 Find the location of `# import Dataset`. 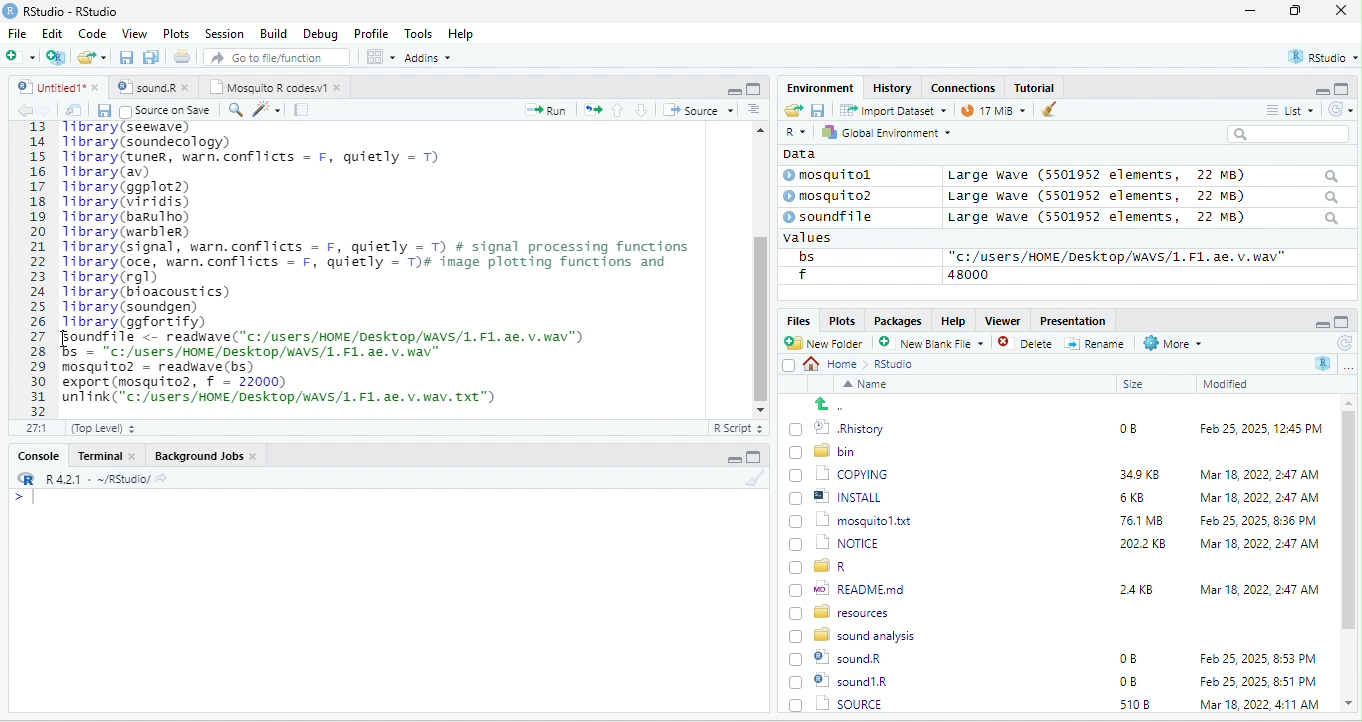

# import Dataset is located at coordinates (891, 109).